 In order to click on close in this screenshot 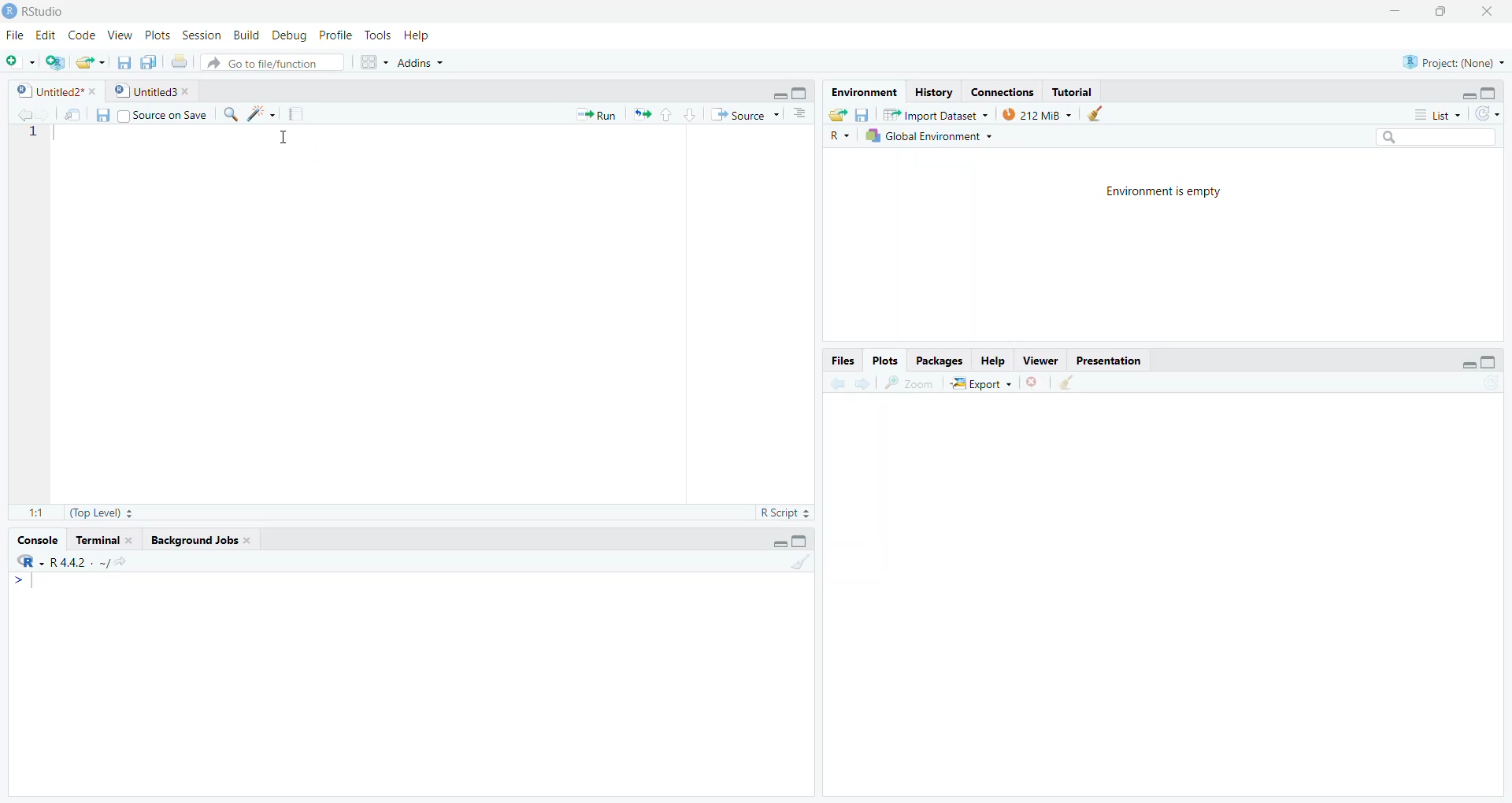, I will do `click(1489, 12)`.